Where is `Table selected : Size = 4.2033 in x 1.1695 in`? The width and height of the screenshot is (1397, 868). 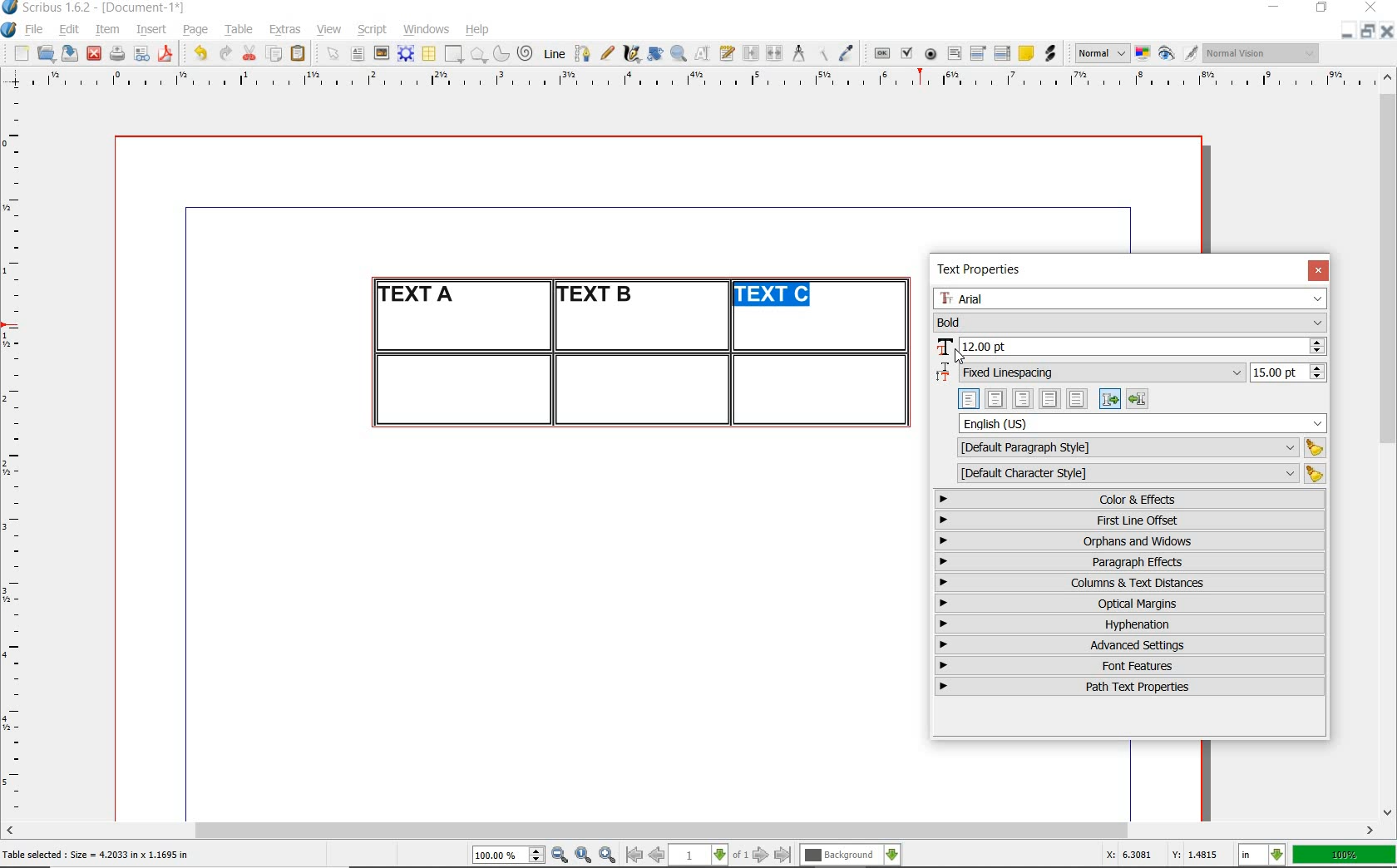
Table selected : Size = 4.2033 in x 1.1695 in is located at coordinates (96, 854).